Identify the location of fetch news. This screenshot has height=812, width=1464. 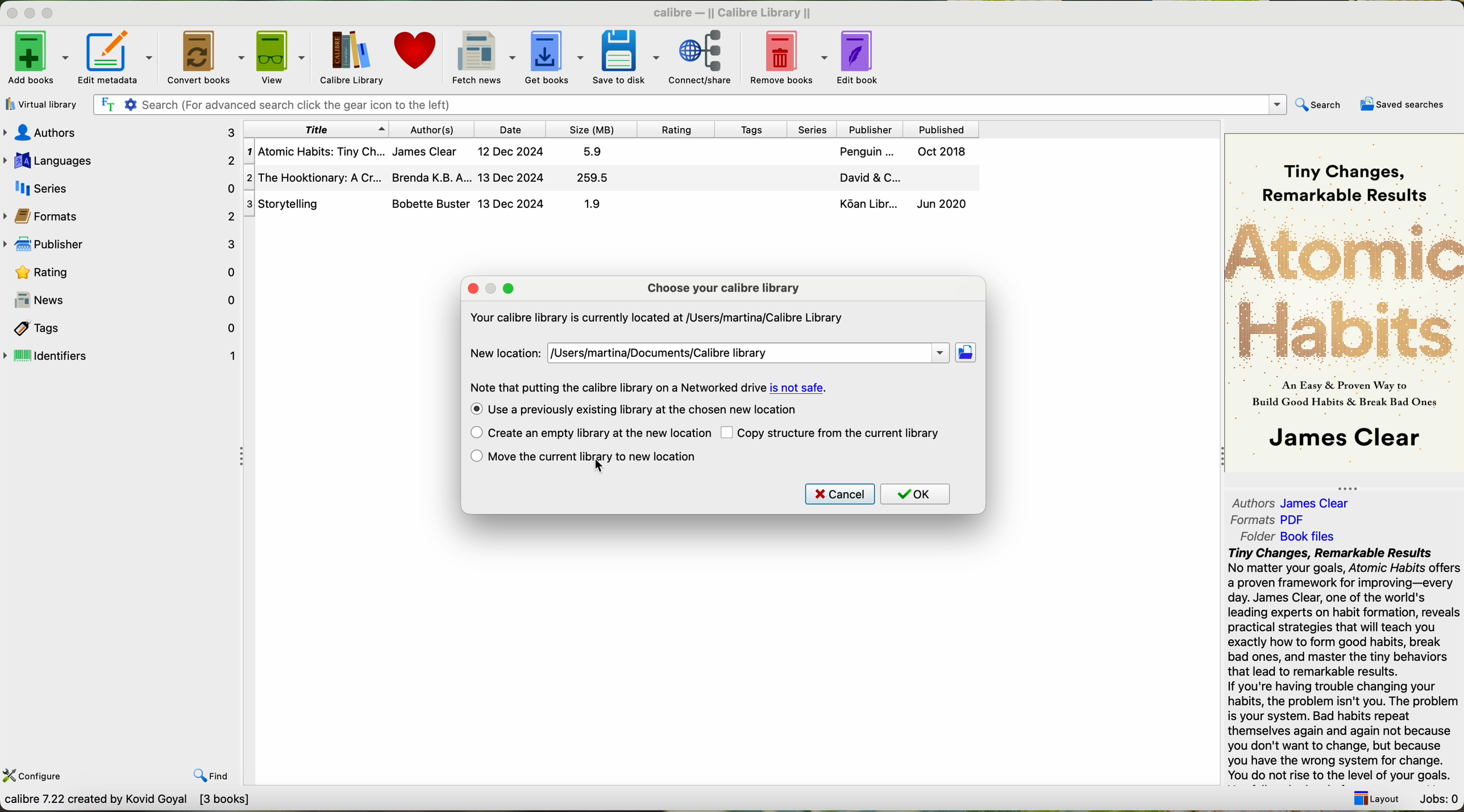
(481, 56).